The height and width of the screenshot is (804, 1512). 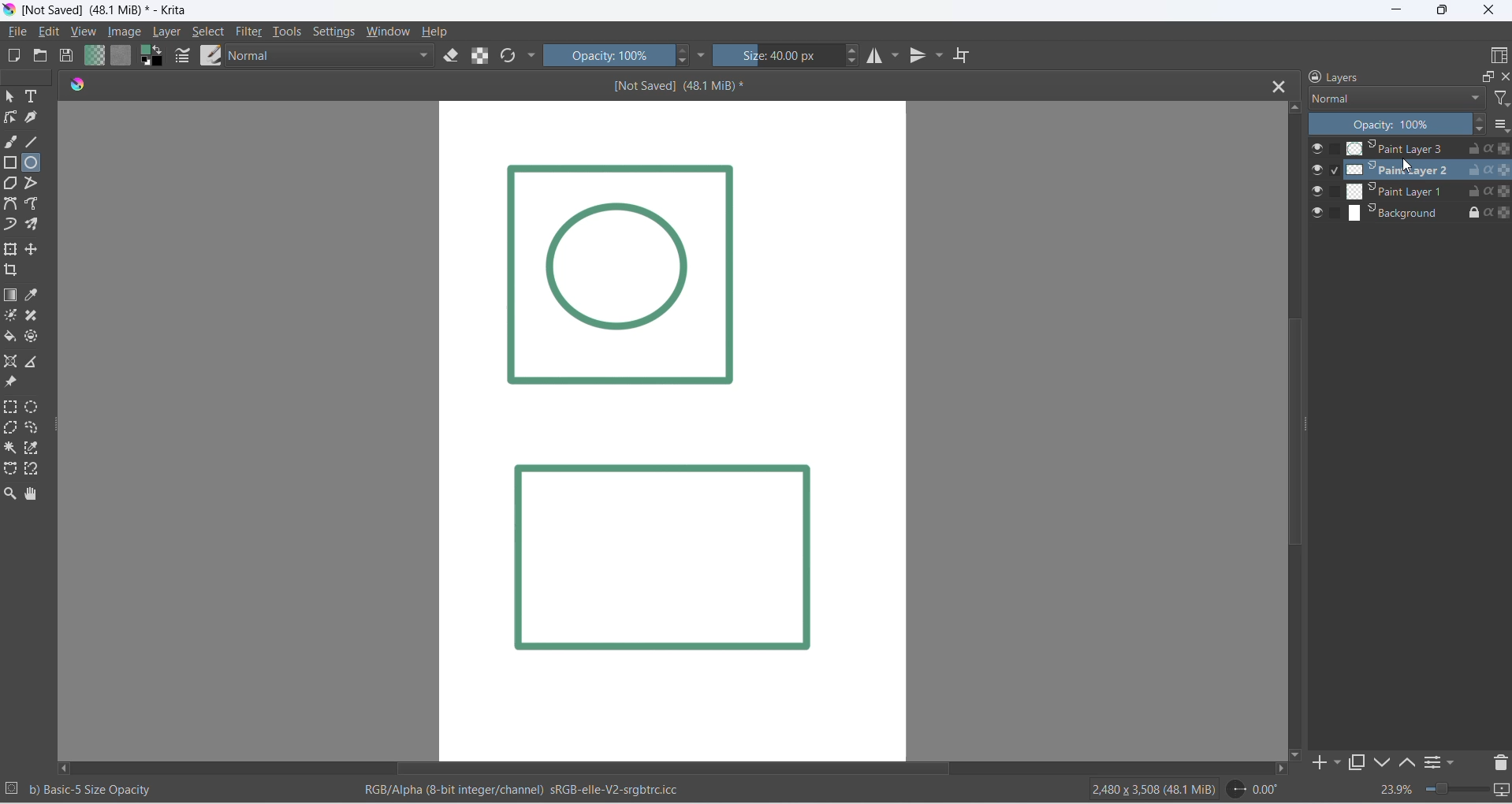 What do you see at coordinates (539, 793) in the screenshot?
I see `RGB/Alpha (8-bit integer/channel) sRGB-elle-V2-srgbtrc.icc` at bounding box center [539, 793].